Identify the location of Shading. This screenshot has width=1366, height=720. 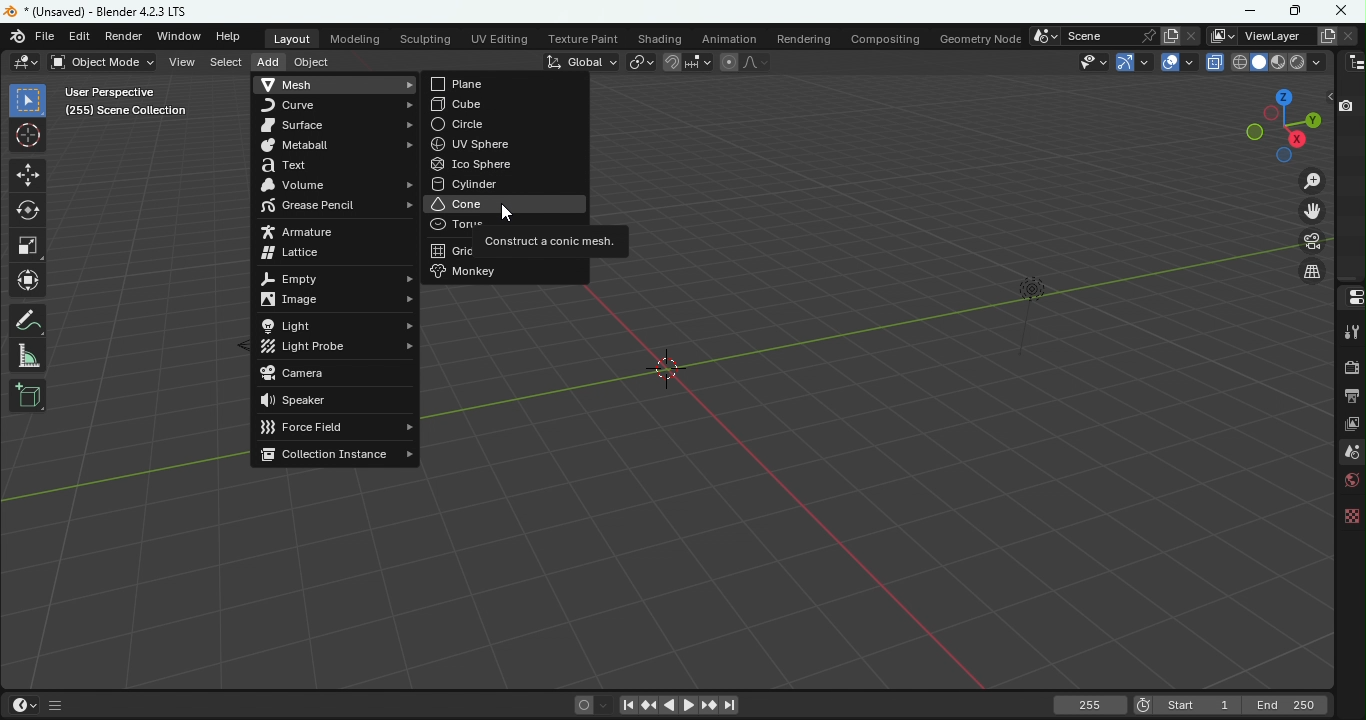
(1317, 62).